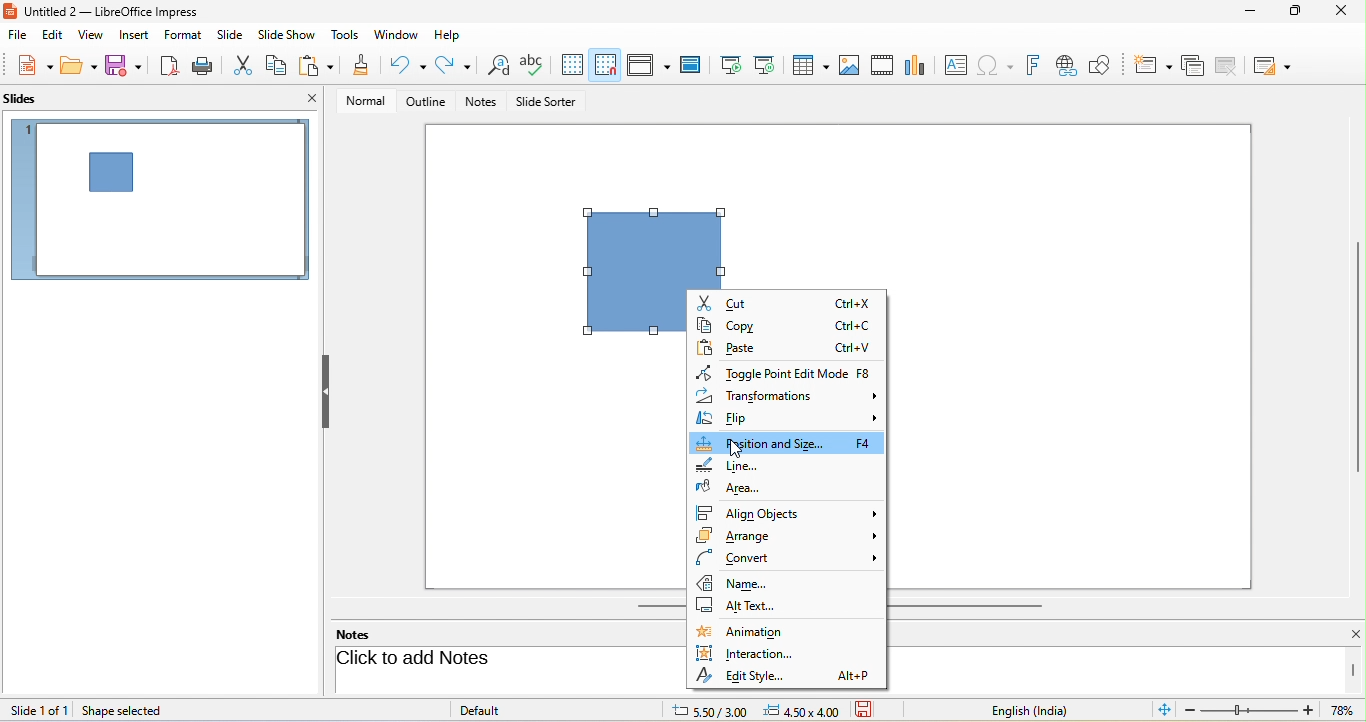 The image size is (1366, 722). Describe the element at coordinates (812, 67) in the screenshot. I see `table` at that location.